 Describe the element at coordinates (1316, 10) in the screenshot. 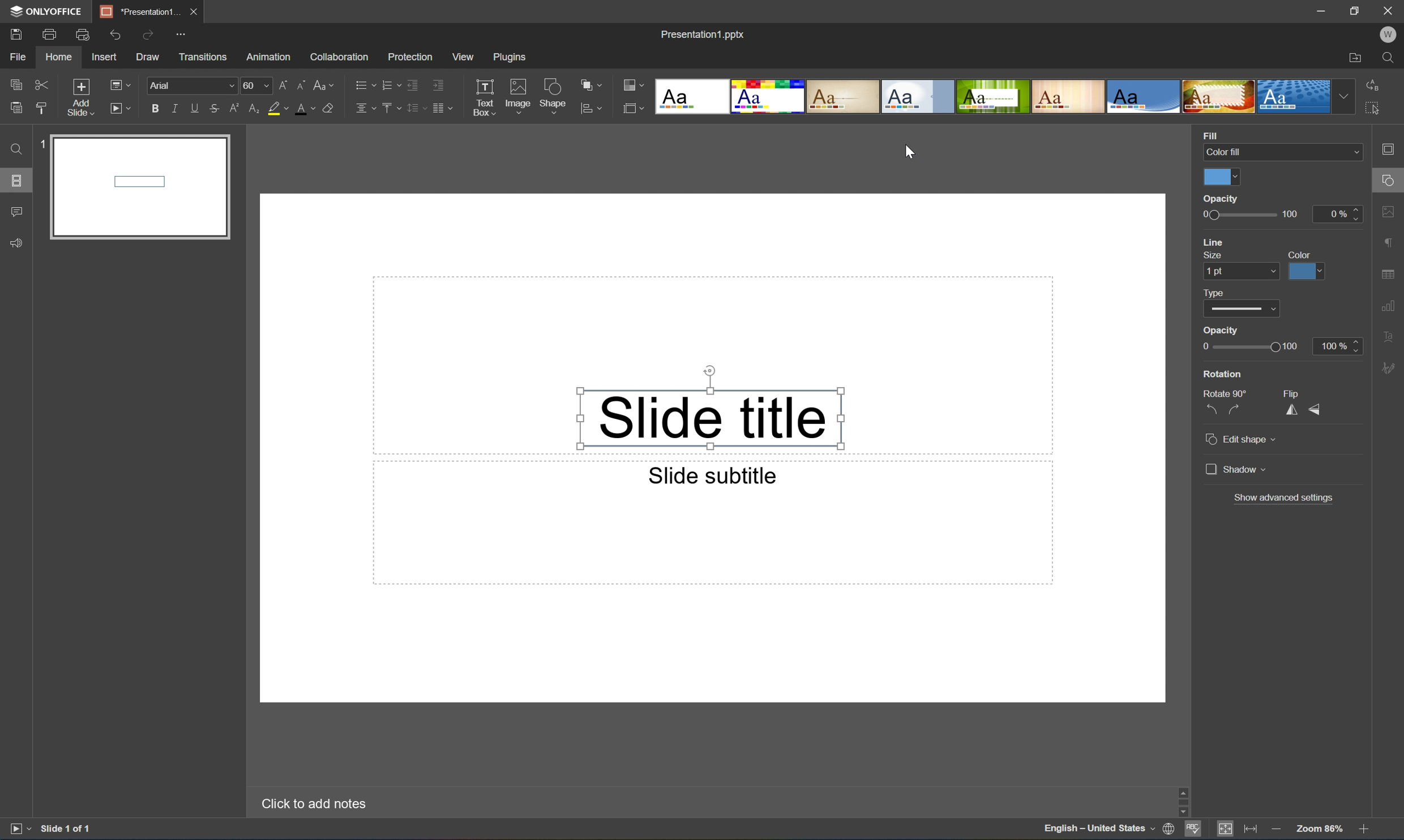

I see `Minimize` at that location.